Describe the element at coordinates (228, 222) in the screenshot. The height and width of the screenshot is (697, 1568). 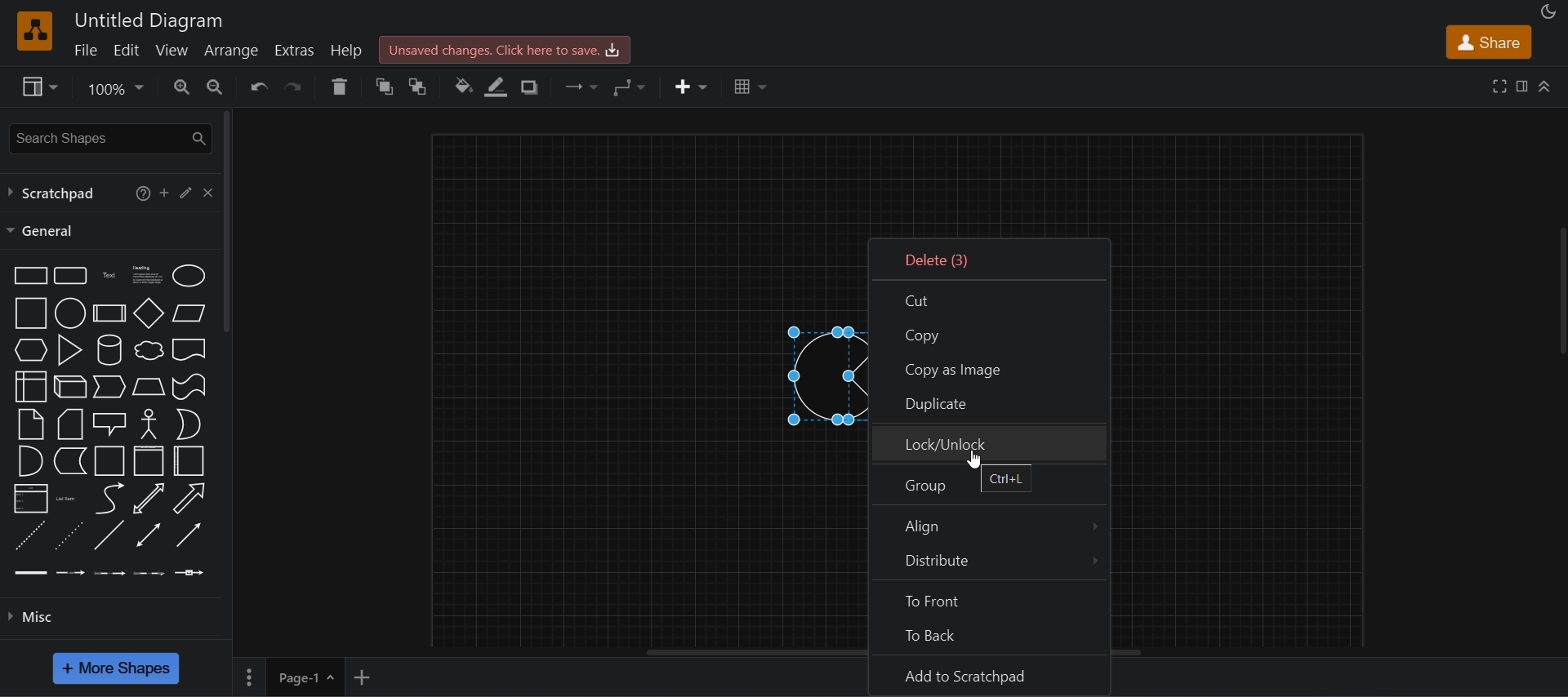
I see `vertical scroll bar` at that location.